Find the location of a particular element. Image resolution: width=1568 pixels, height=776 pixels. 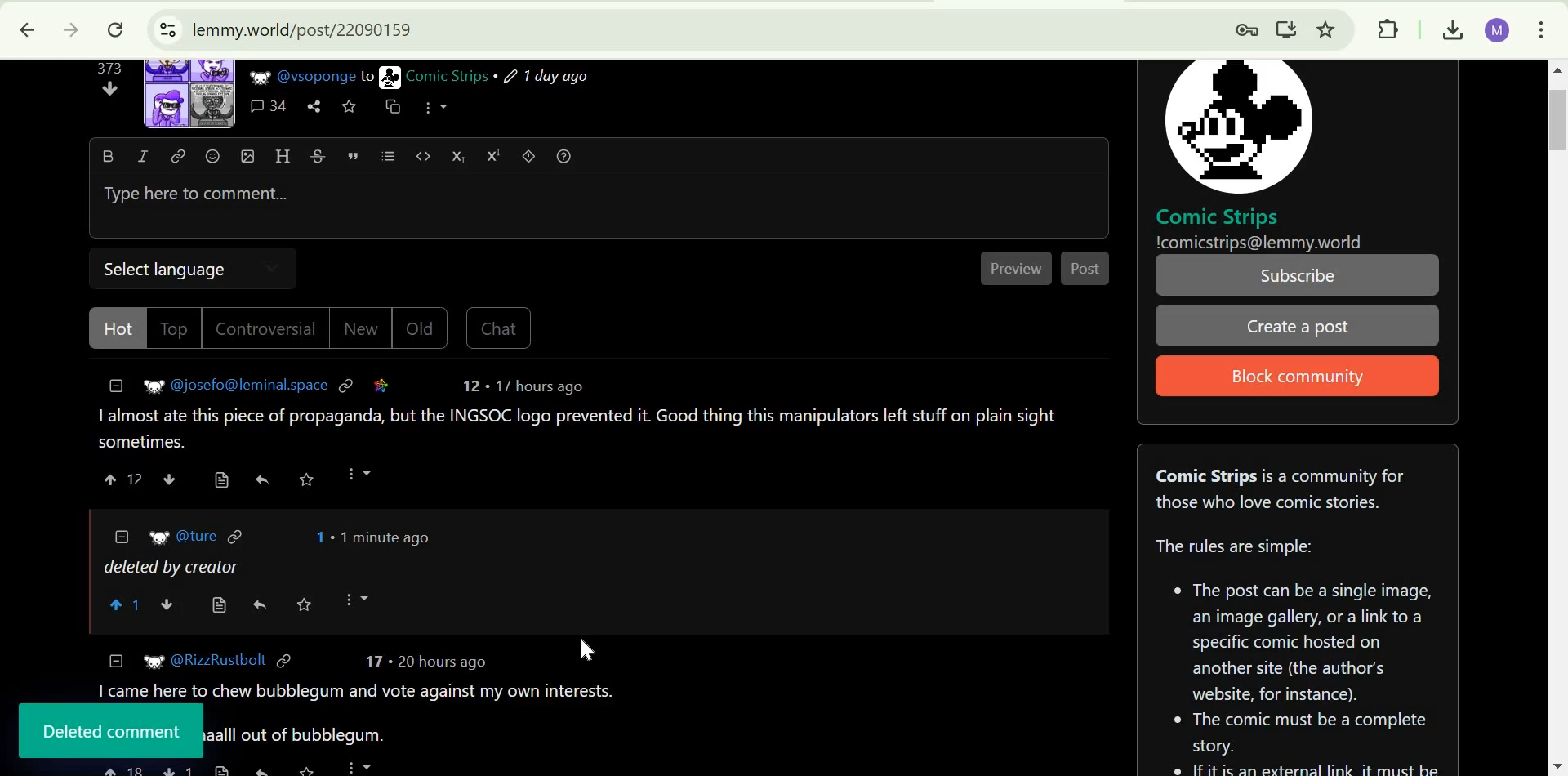

17 points is located at coordinates (373, 661).